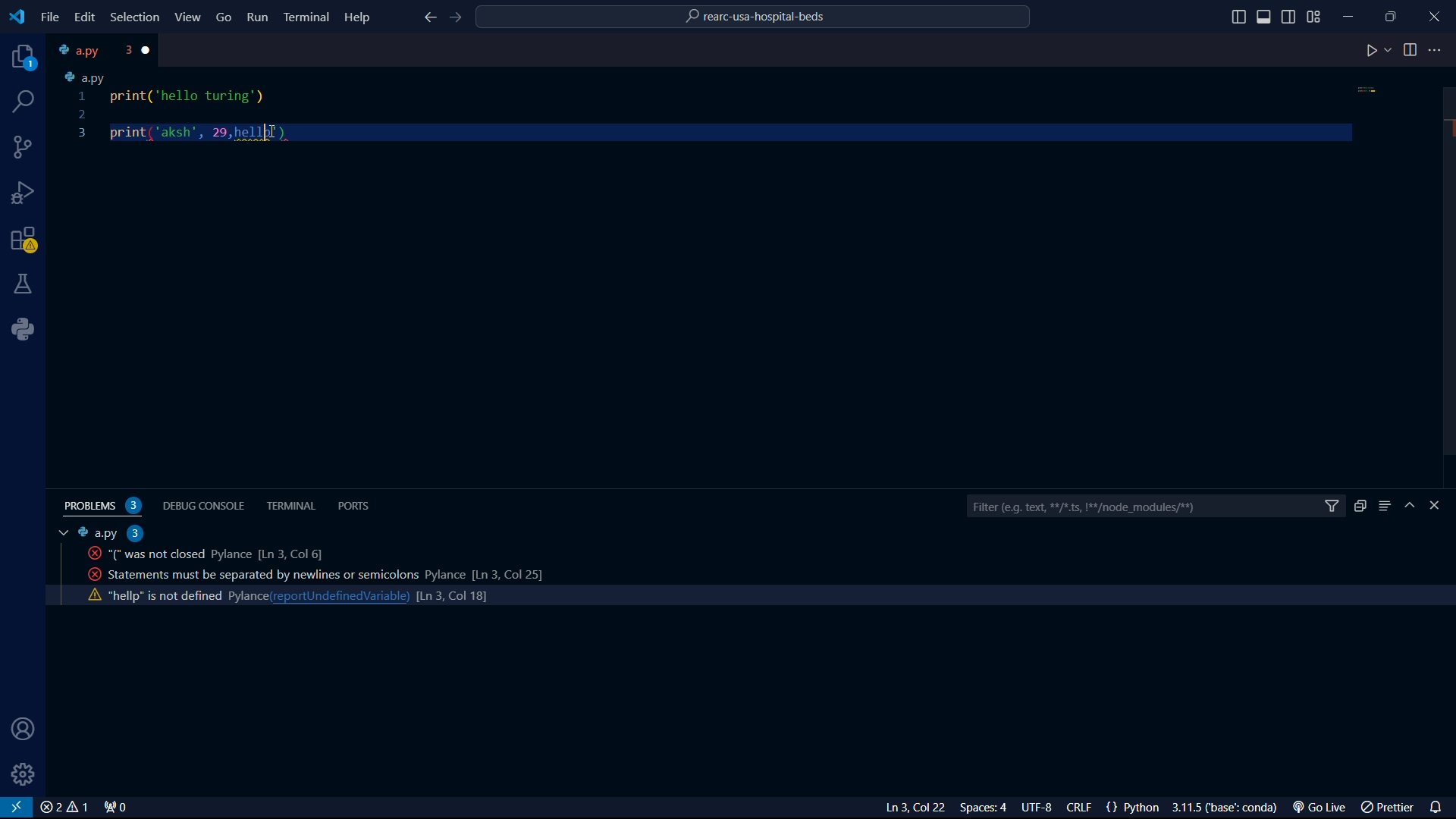 The width and height of the screenshot is (1456, 819). I want to click on file, so click(50, 17).